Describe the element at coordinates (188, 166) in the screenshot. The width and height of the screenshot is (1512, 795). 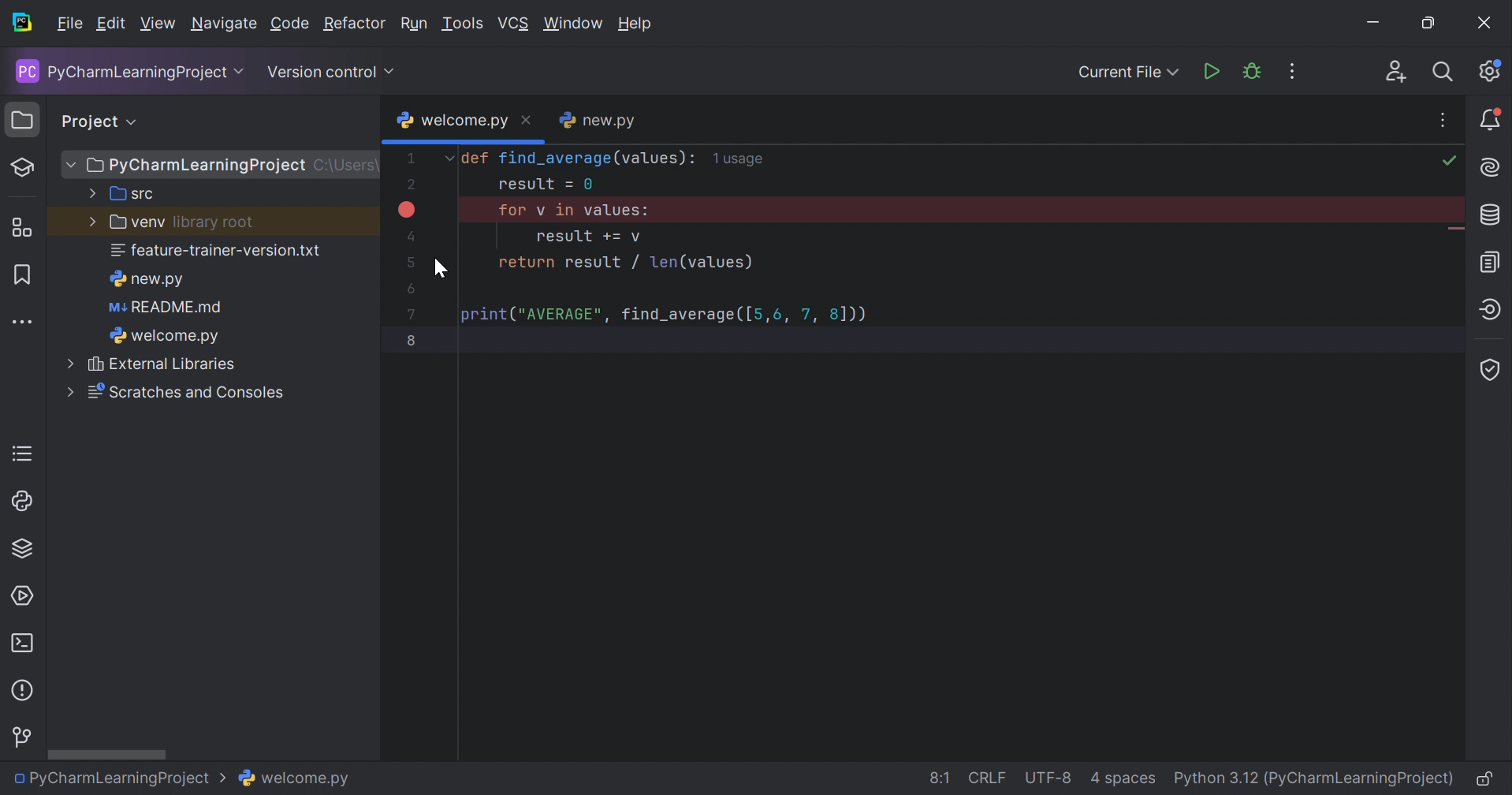
I see `PyCharmLearningProject` at that location.